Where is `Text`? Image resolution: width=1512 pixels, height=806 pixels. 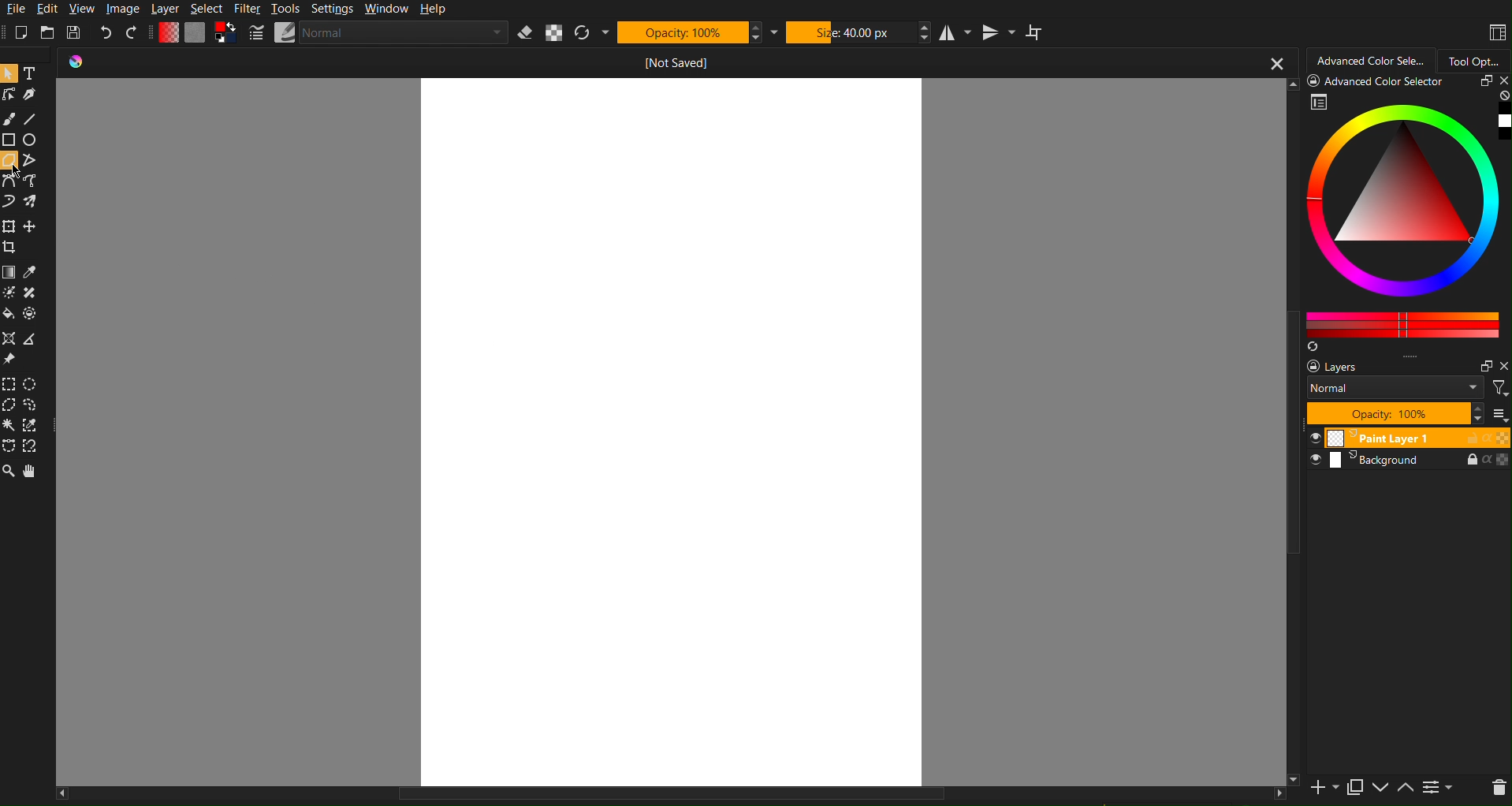 Text is located at coordinates (35, 74).